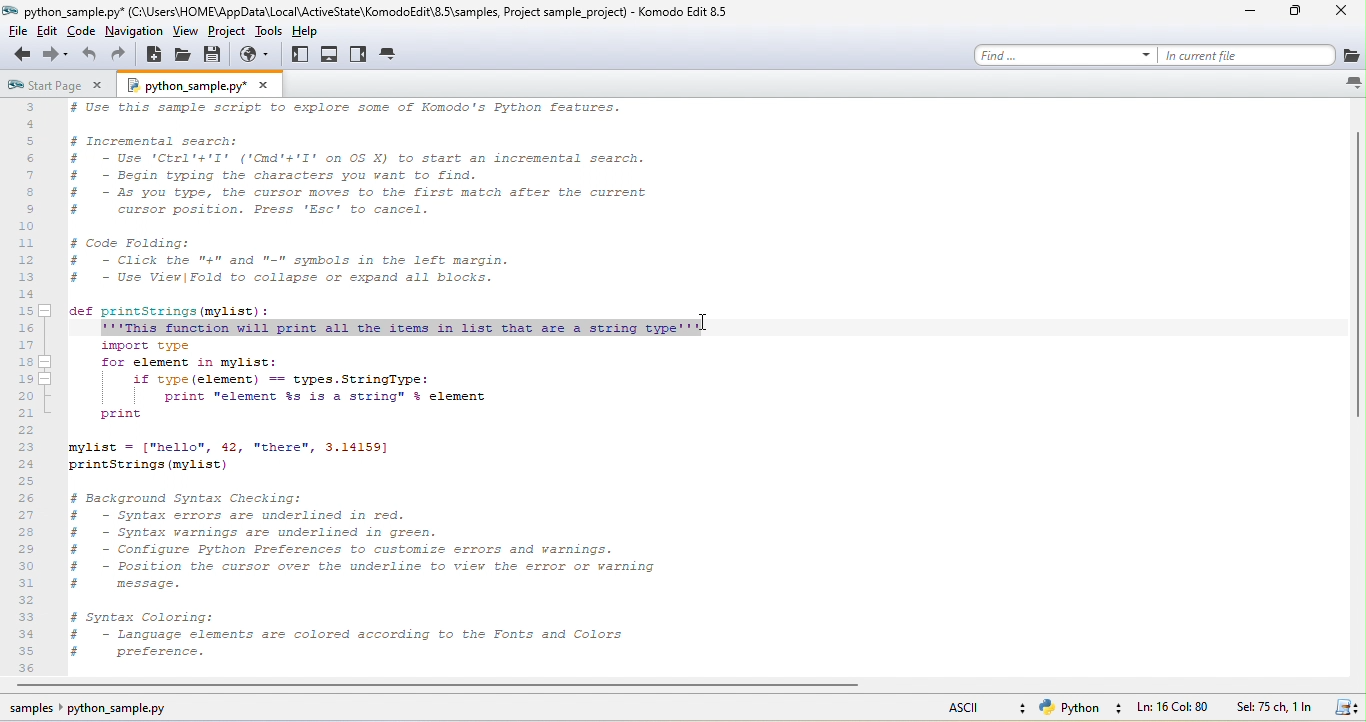  Describe the element at coordinates (1078, 710) in the screenshot. I see `python` at that location.